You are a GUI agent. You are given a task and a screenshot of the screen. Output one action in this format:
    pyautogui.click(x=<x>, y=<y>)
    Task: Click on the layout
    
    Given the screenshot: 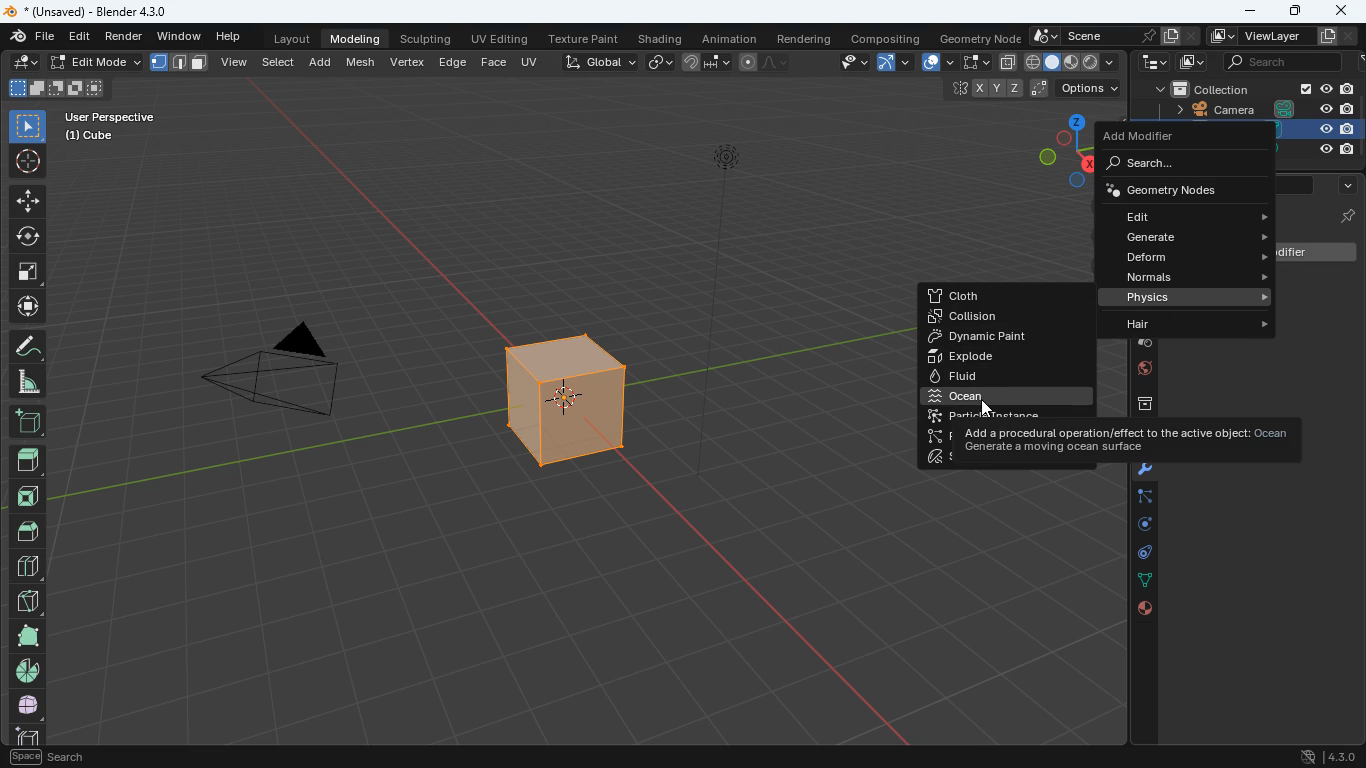 What is the action you would take?
    pyautogui.click(x=295, y=37)
    